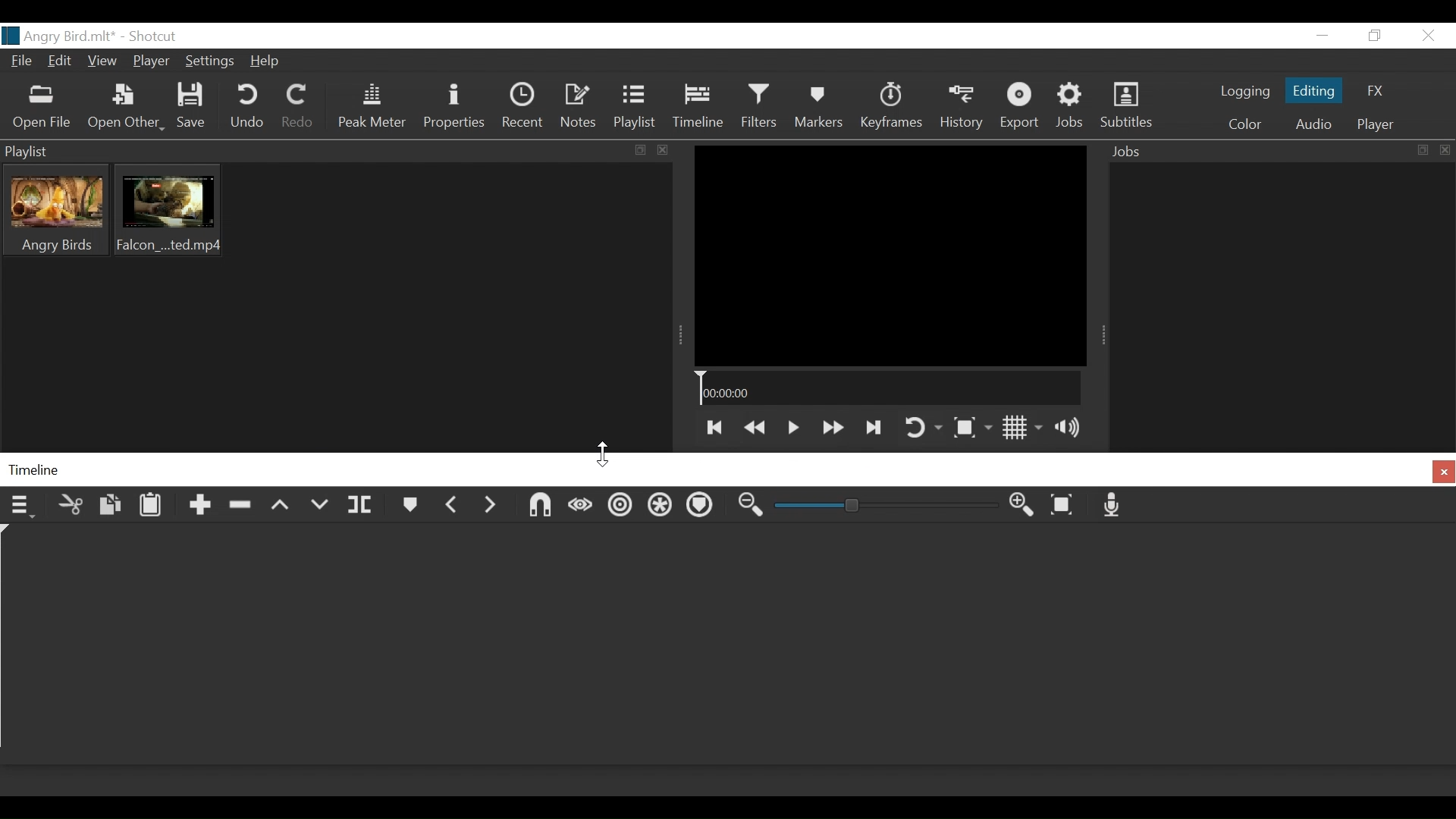 The height and width of the screenshot is (819, 1456). What do you see at coordinates (961, 106) in the screenshot?
I see `History` at bounding box center [961, 106].